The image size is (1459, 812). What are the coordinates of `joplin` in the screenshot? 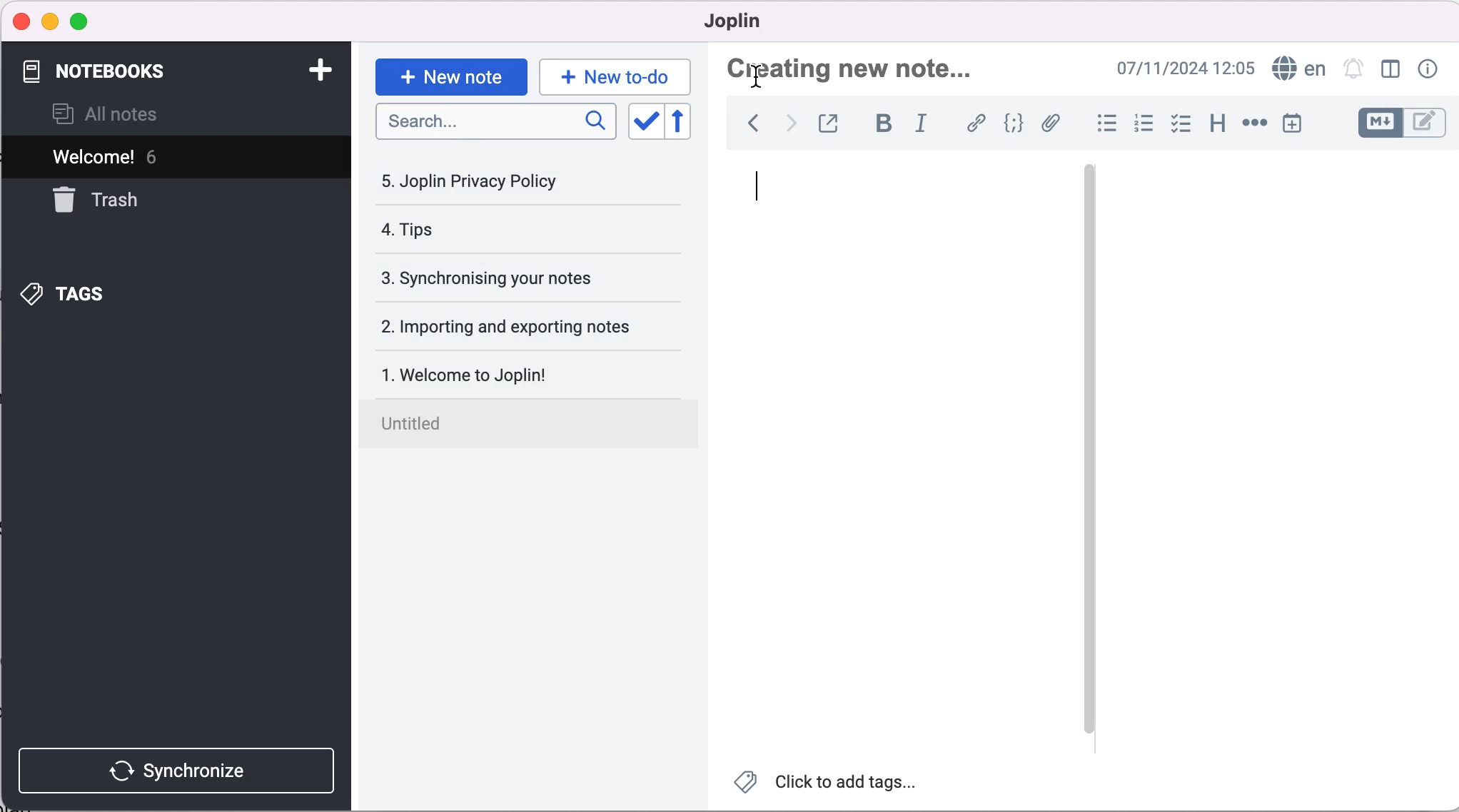 It's located at (754, 23).